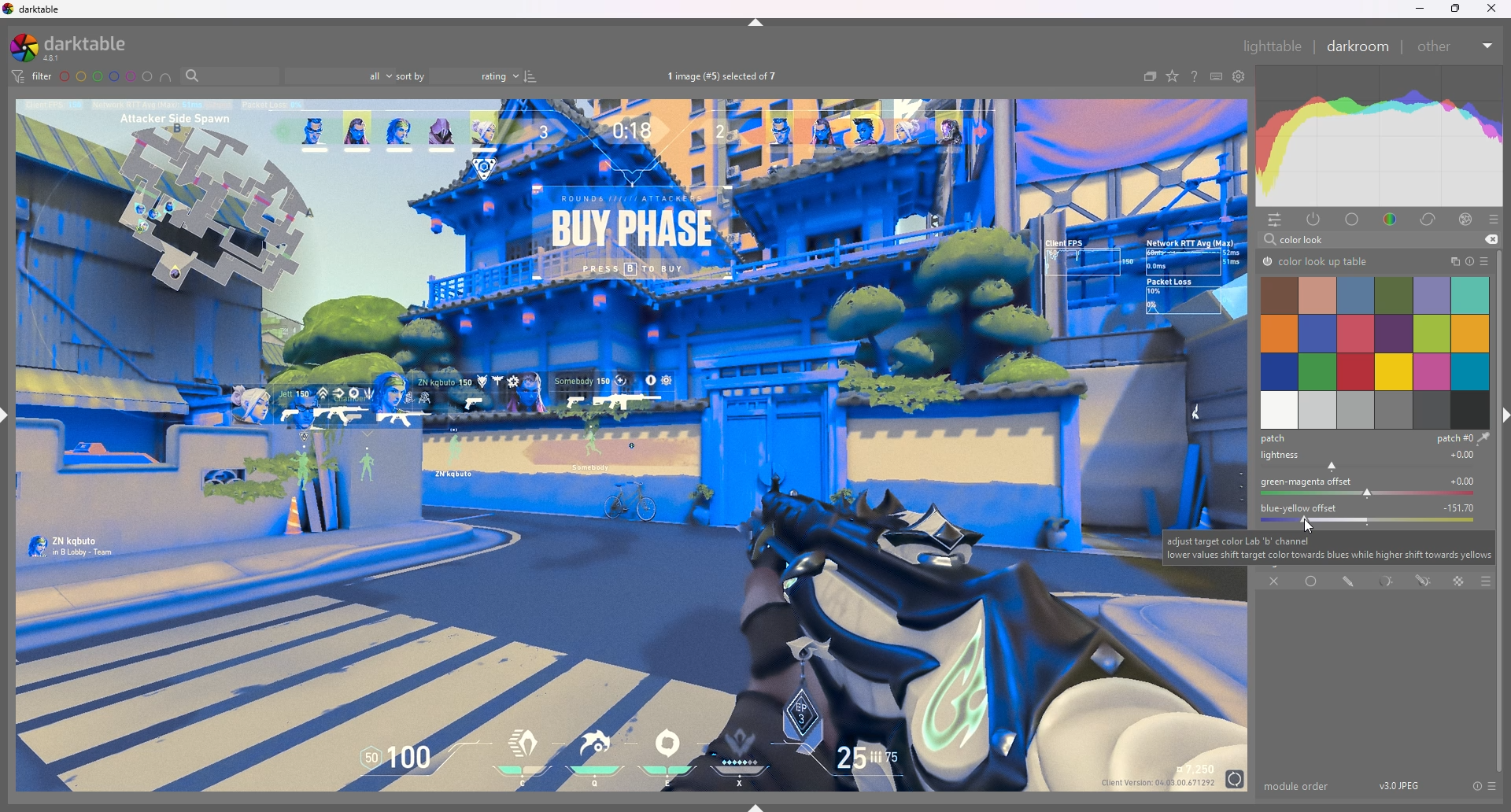 This screenshot has height=812, width=1511. What do you see at coordinates (1379, 136) in the screenshot?
I see `heat graph` at bounding box center [1379, 136].